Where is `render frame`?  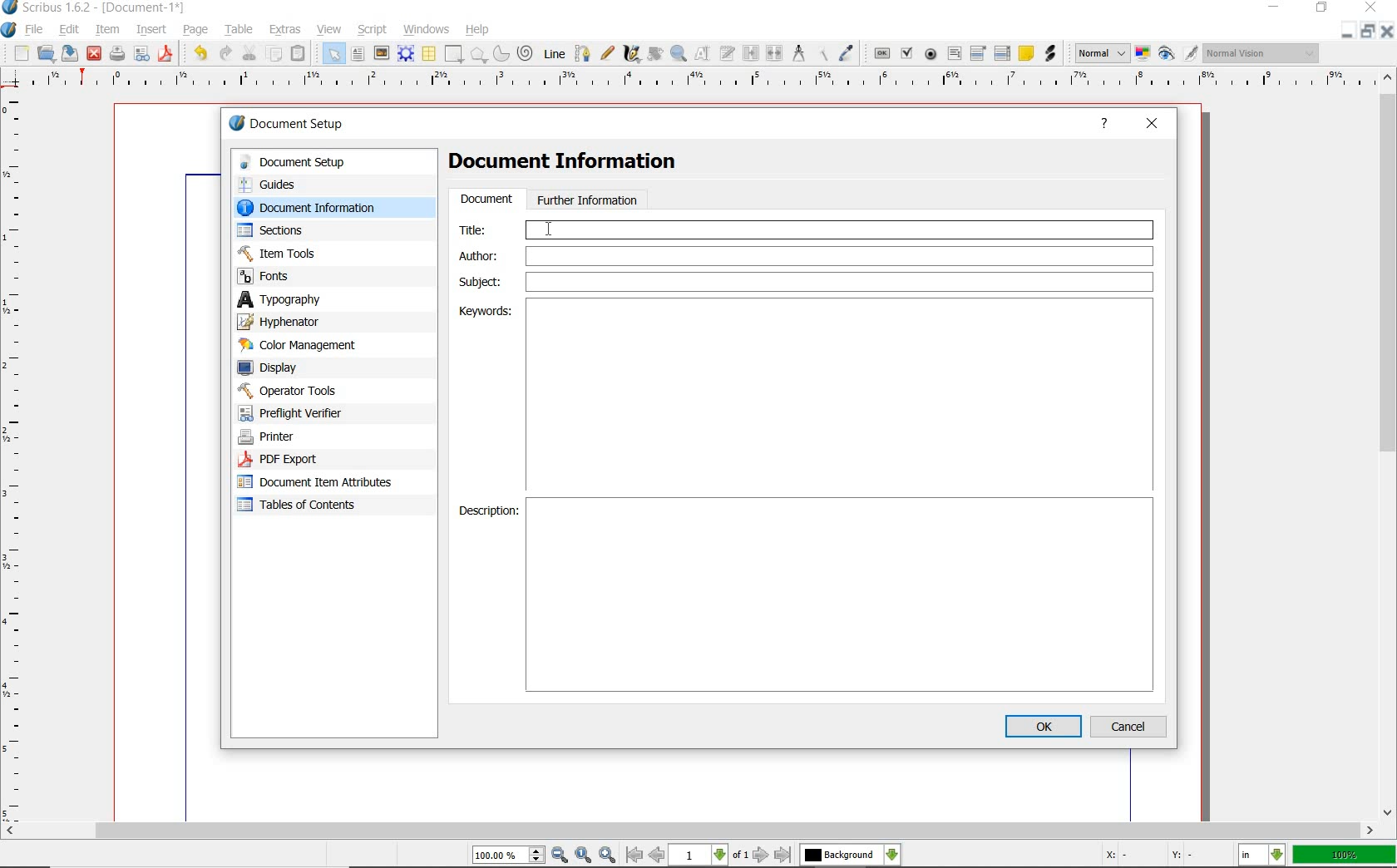
render frame is located at coordinates (406, 54).